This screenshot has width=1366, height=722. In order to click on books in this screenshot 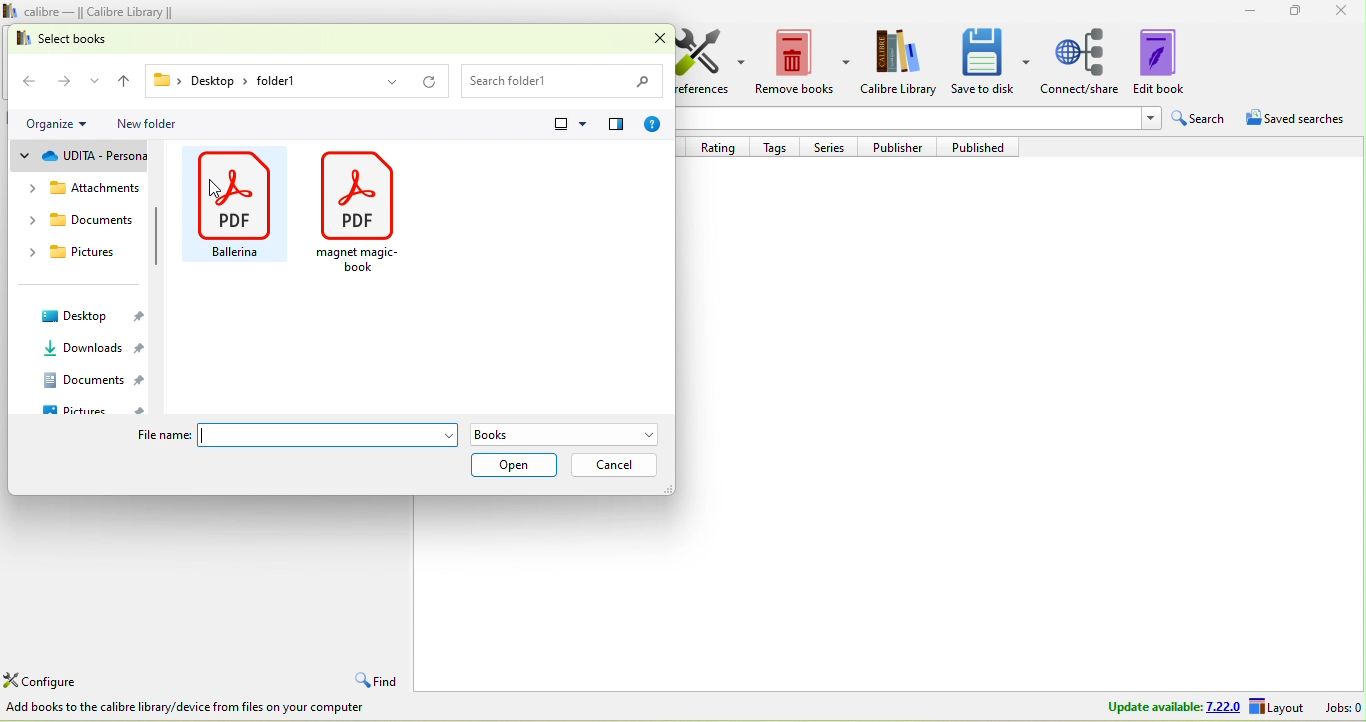, I will do `click(572, 435)`.